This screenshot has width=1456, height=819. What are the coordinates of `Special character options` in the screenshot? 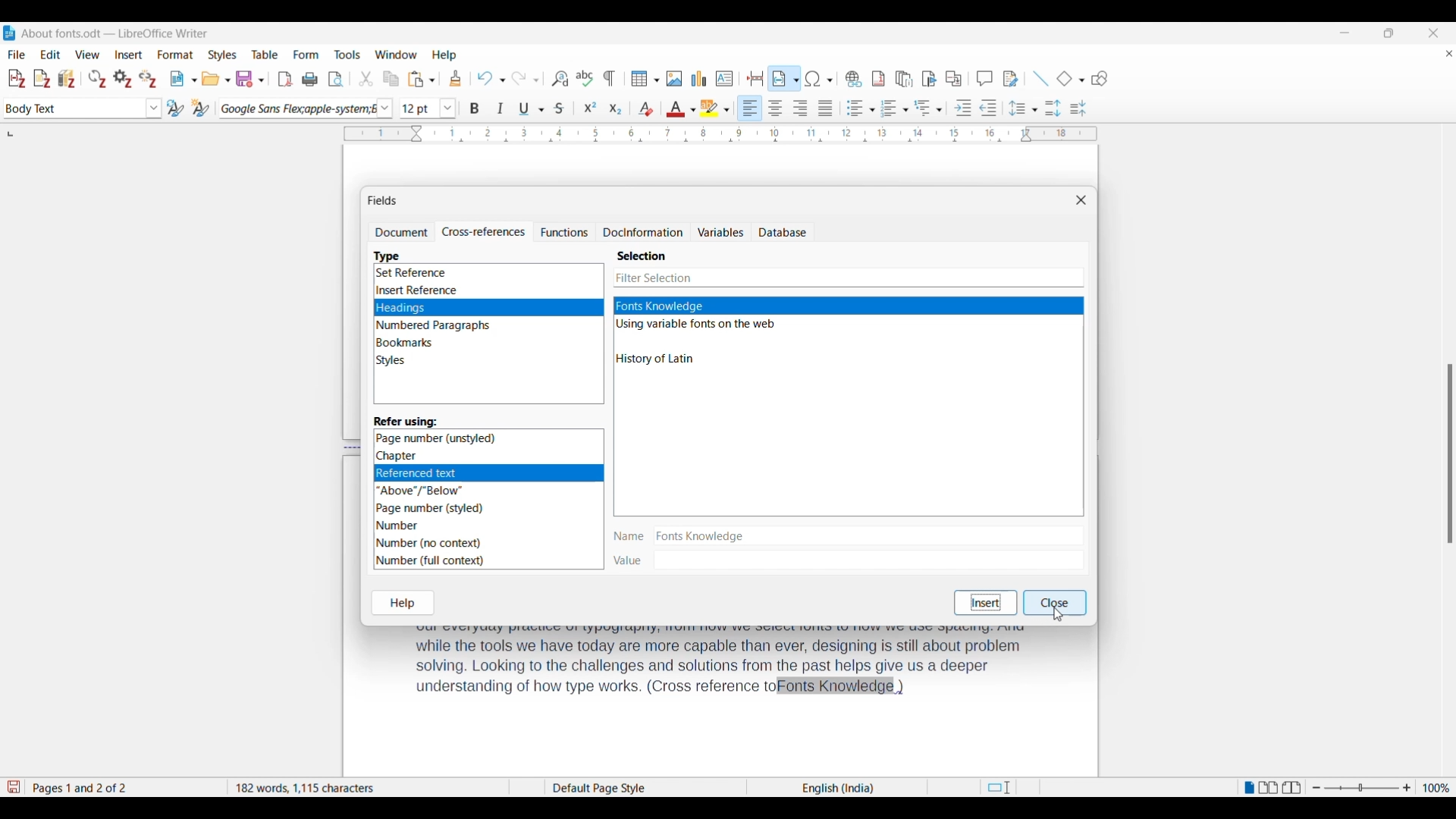 It's located at (819, 78).